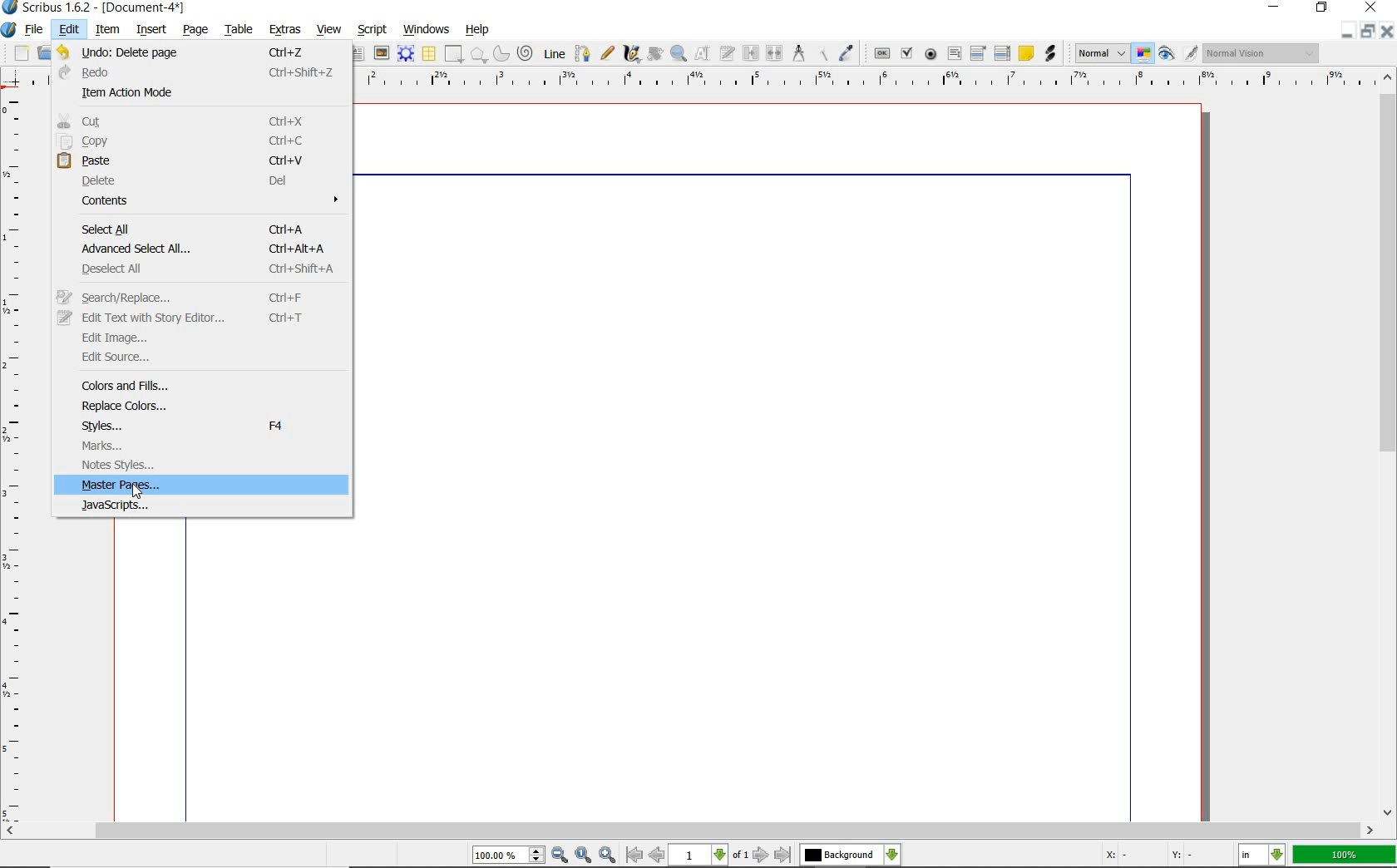 This screenshot has height=868, width=1397. I want to click on pdf push button, so click(879, 52).